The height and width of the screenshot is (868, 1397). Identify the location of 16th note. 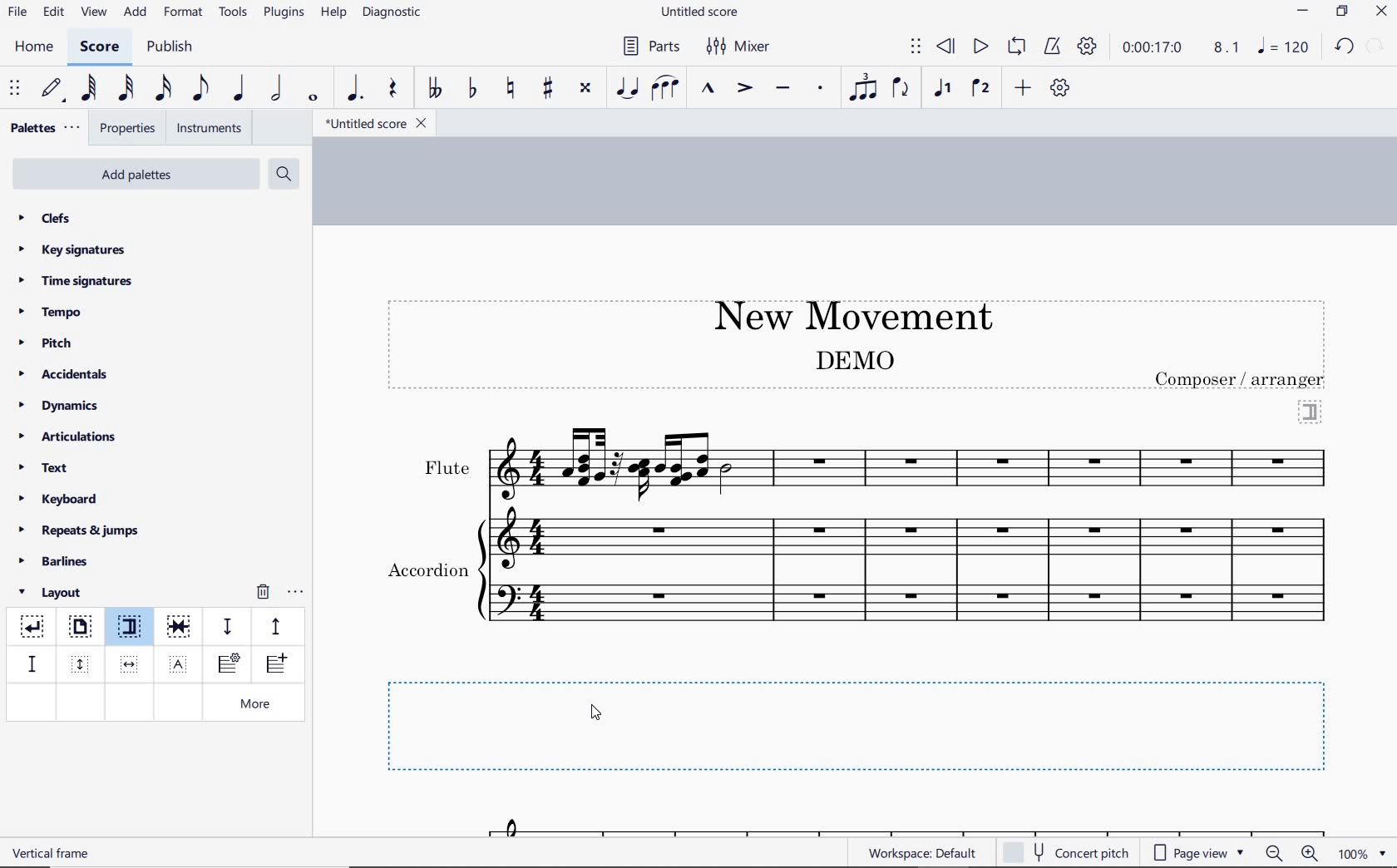
(164, 89).